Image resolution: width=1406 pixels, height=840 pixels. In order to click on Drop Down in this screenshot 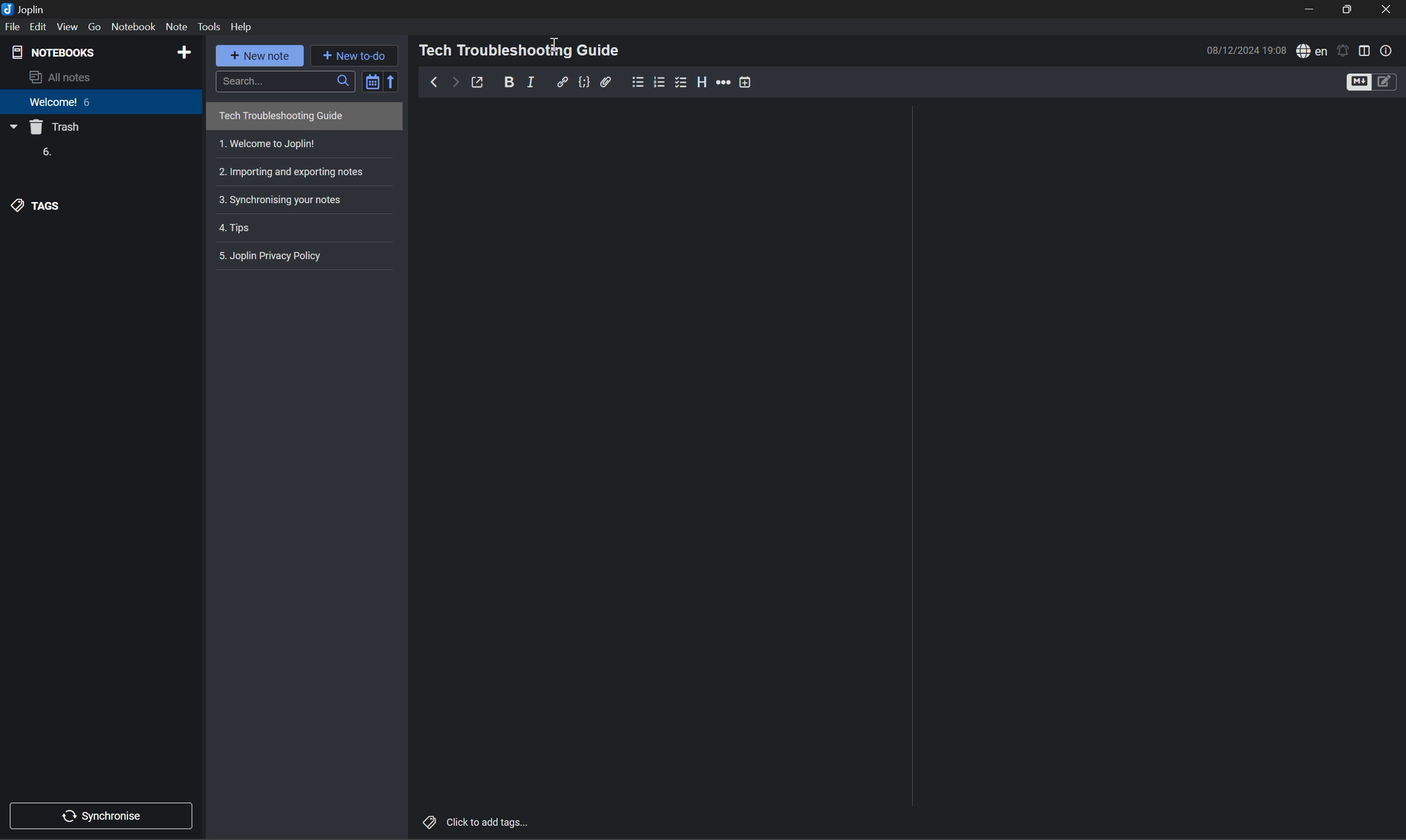, I will do `click(12, 128)`.